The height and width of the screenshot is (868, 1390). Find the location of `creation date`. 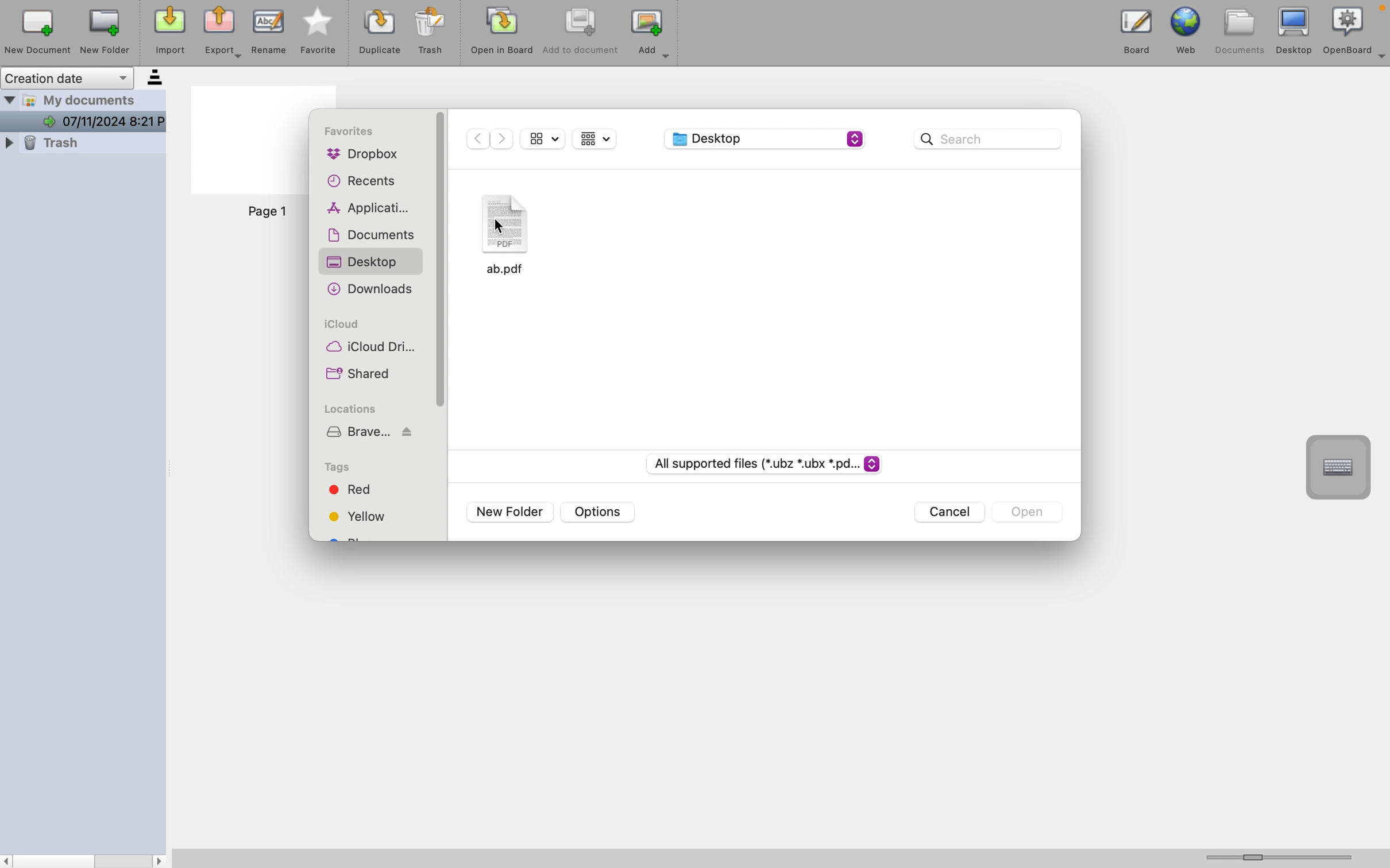

creation date is located at coordinates (84, 75).